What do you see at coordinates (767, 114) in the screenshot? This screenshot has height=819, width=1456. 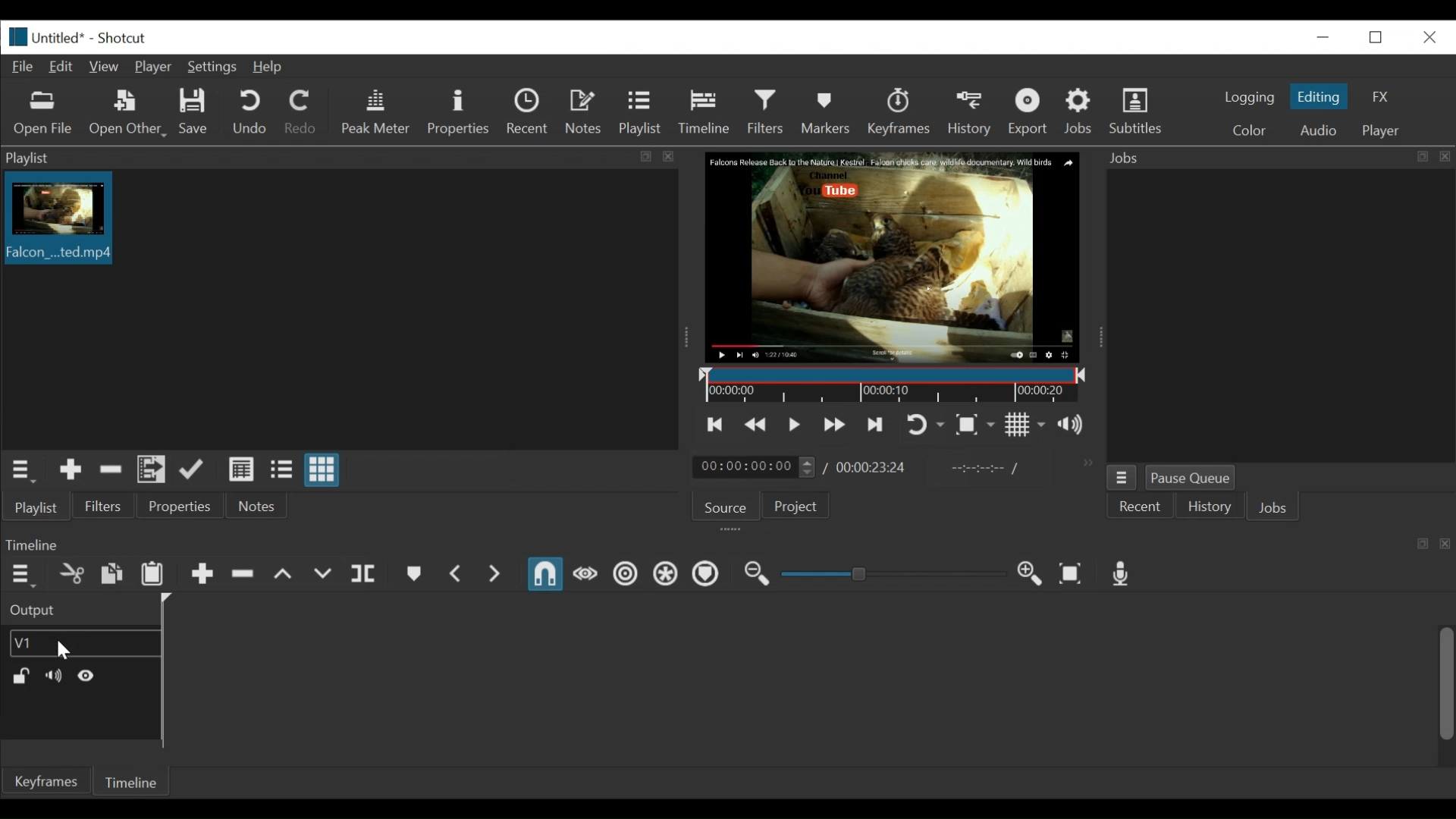 I see `Filters` at bounding box center [767, 114].